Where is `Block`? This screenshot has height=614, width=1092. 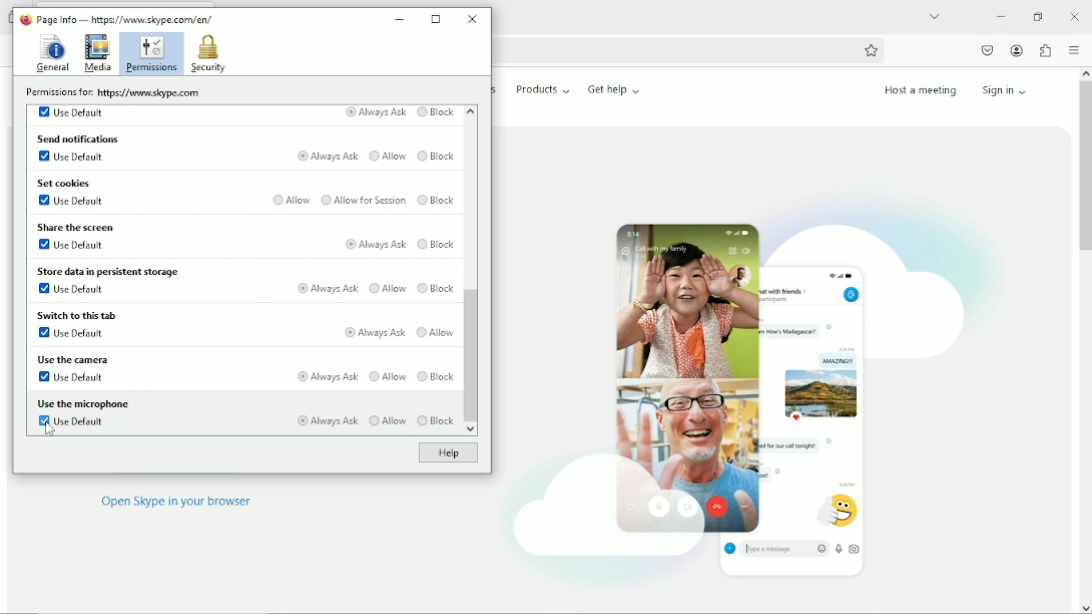
Block is located at coordinates (436, 113).